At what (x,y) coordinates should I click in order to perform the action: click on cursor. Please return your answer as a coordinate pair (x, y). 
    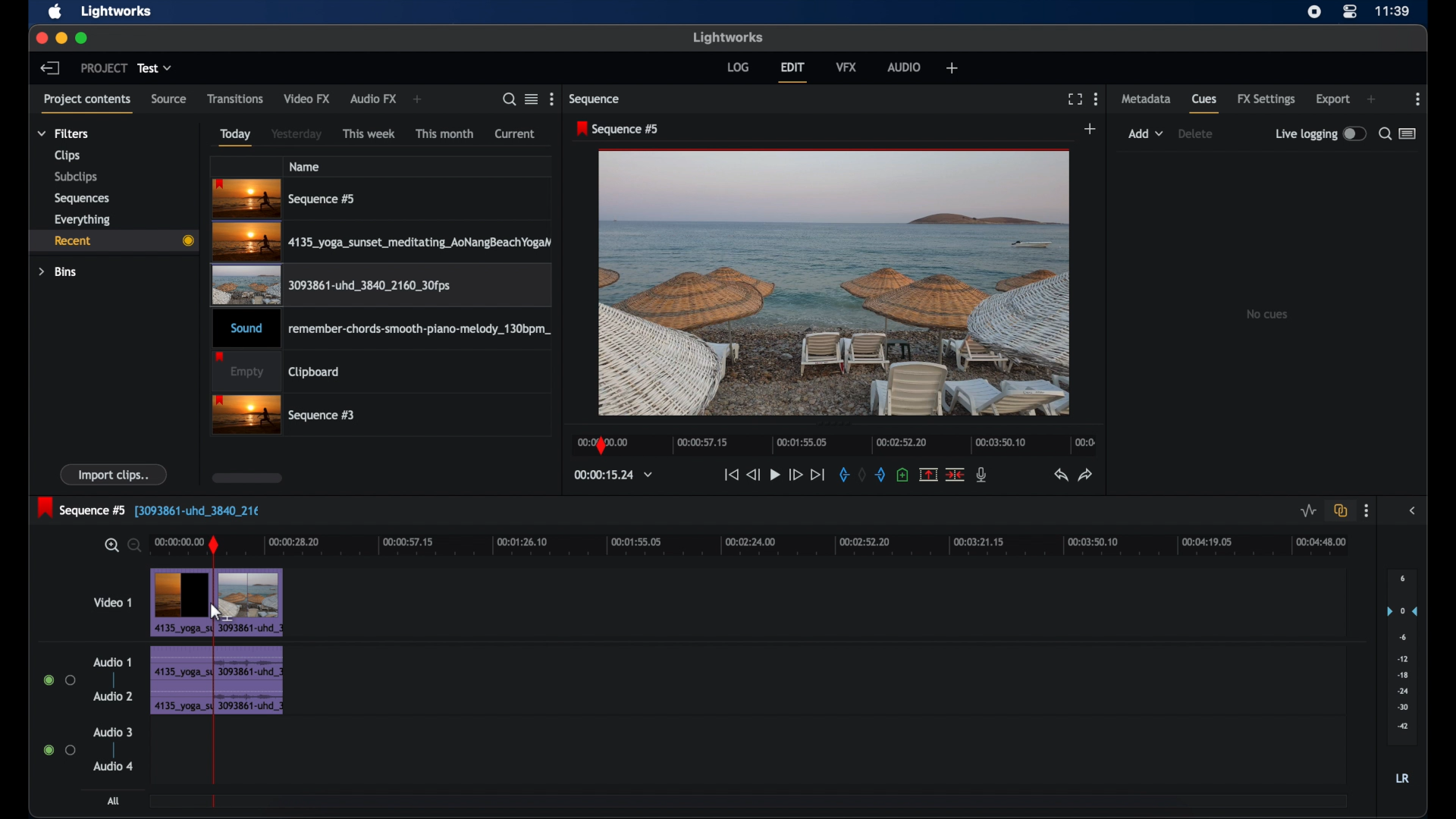
    Looking at the image, I should click on (220, 615).